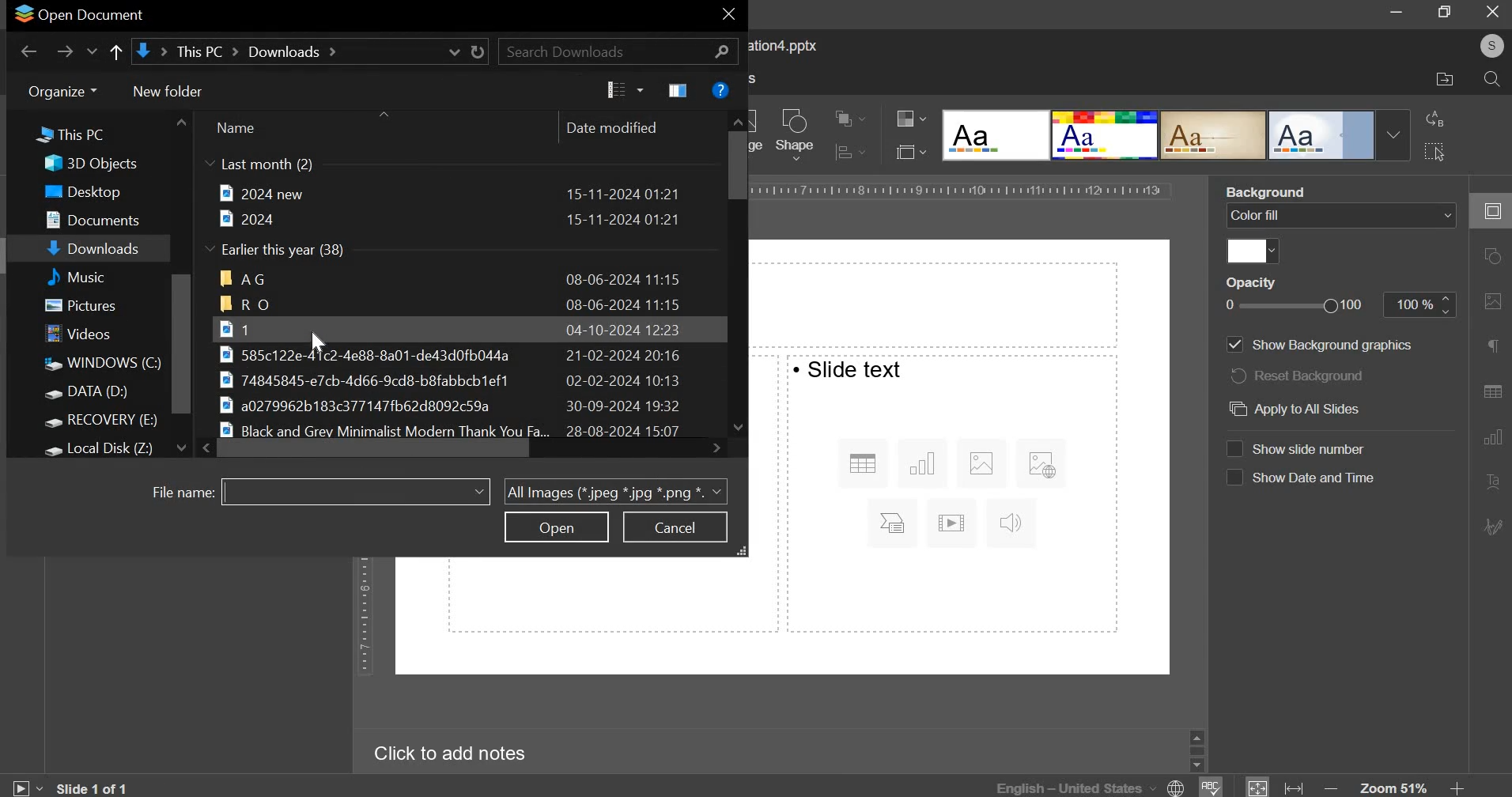 The height and width of the screenshot is (797, 1512). What do you see at coordinates (557, 527) in the screenshot?
I see `open` at bounding box center [557, 527].